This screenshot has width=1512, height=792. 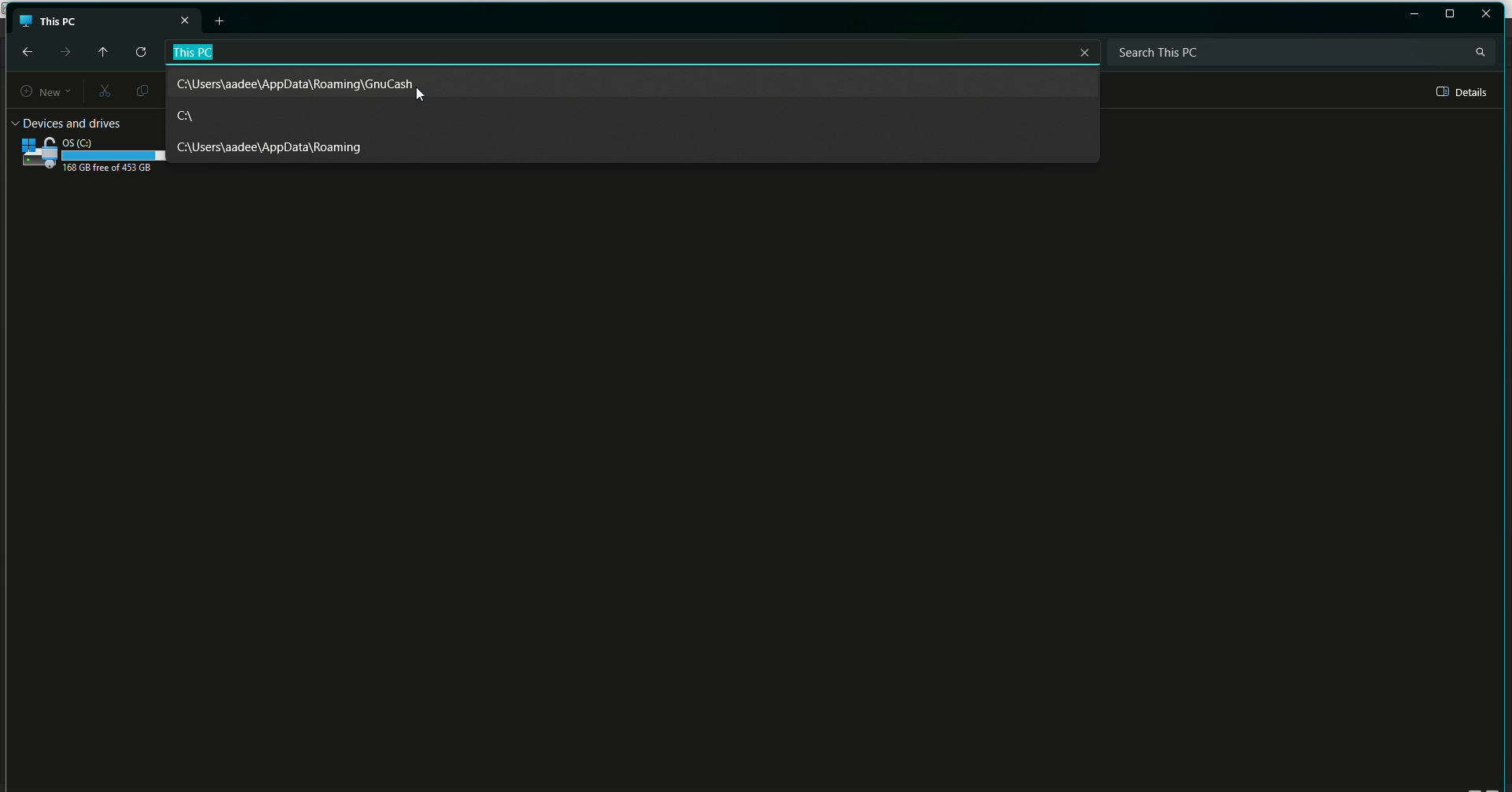 What do you see at coordinates (139, 90) in the screenshot?
I see `Copy` at bounding box center [139, 90].